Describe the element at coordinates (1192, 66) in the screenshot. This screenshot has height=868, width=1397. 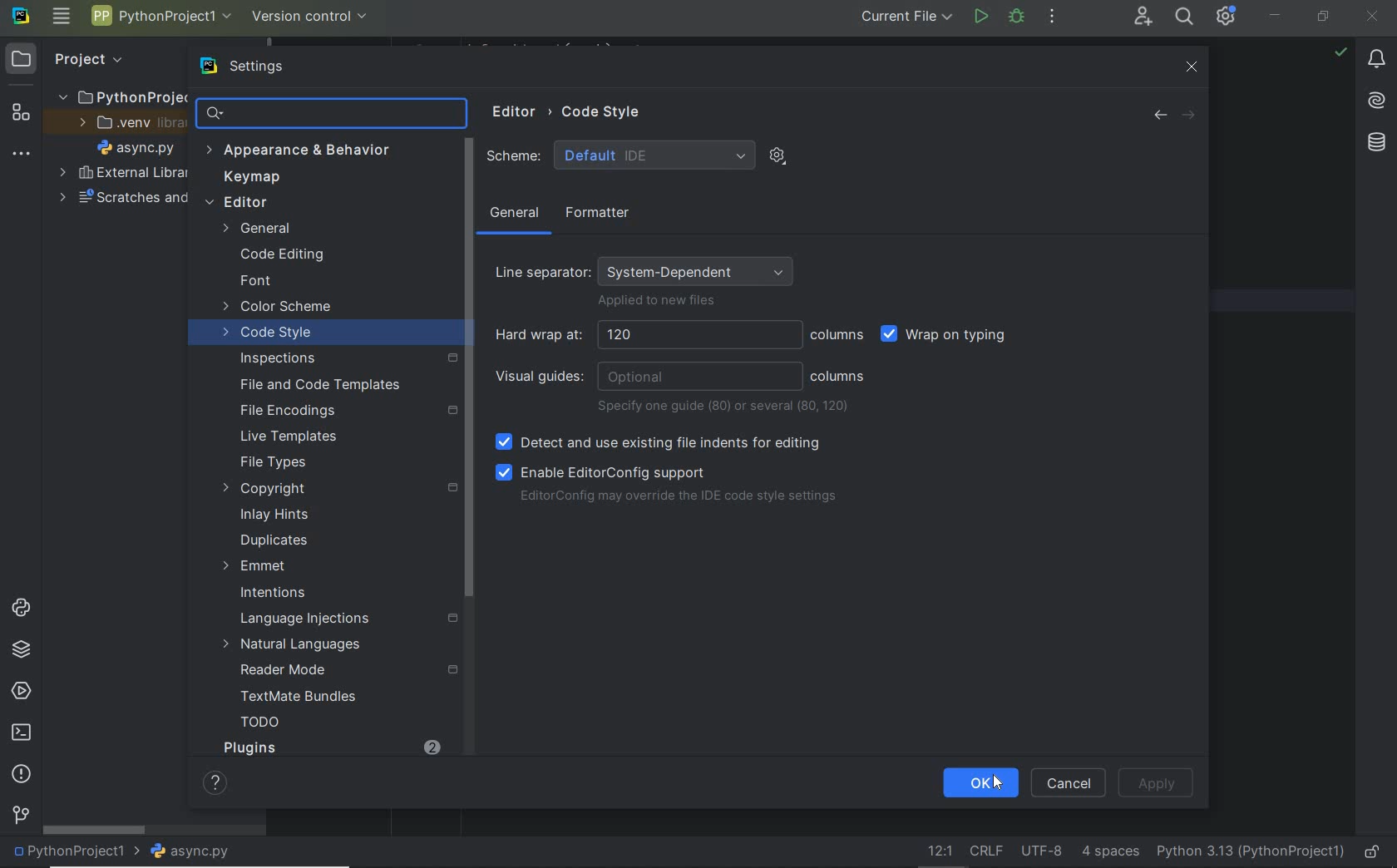
I see `close` at that location.